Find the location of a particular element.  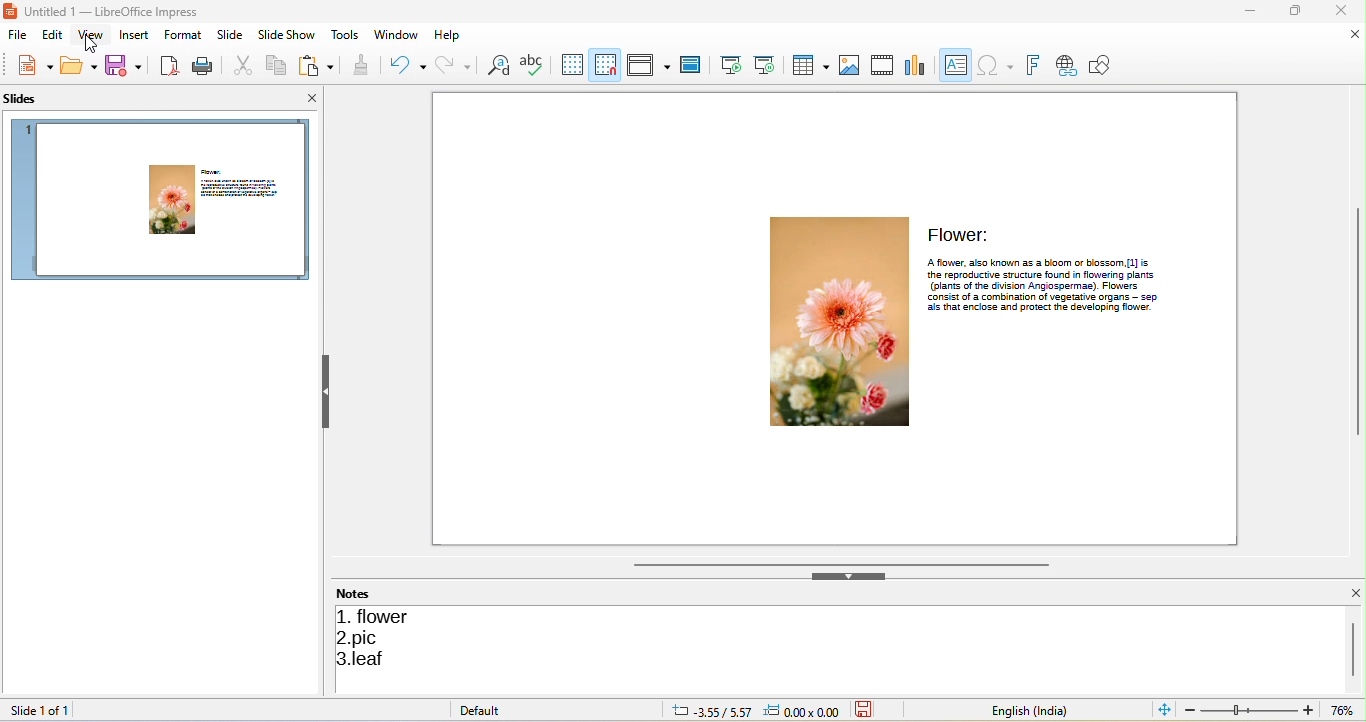

slide is located at coordinates (228, 35).